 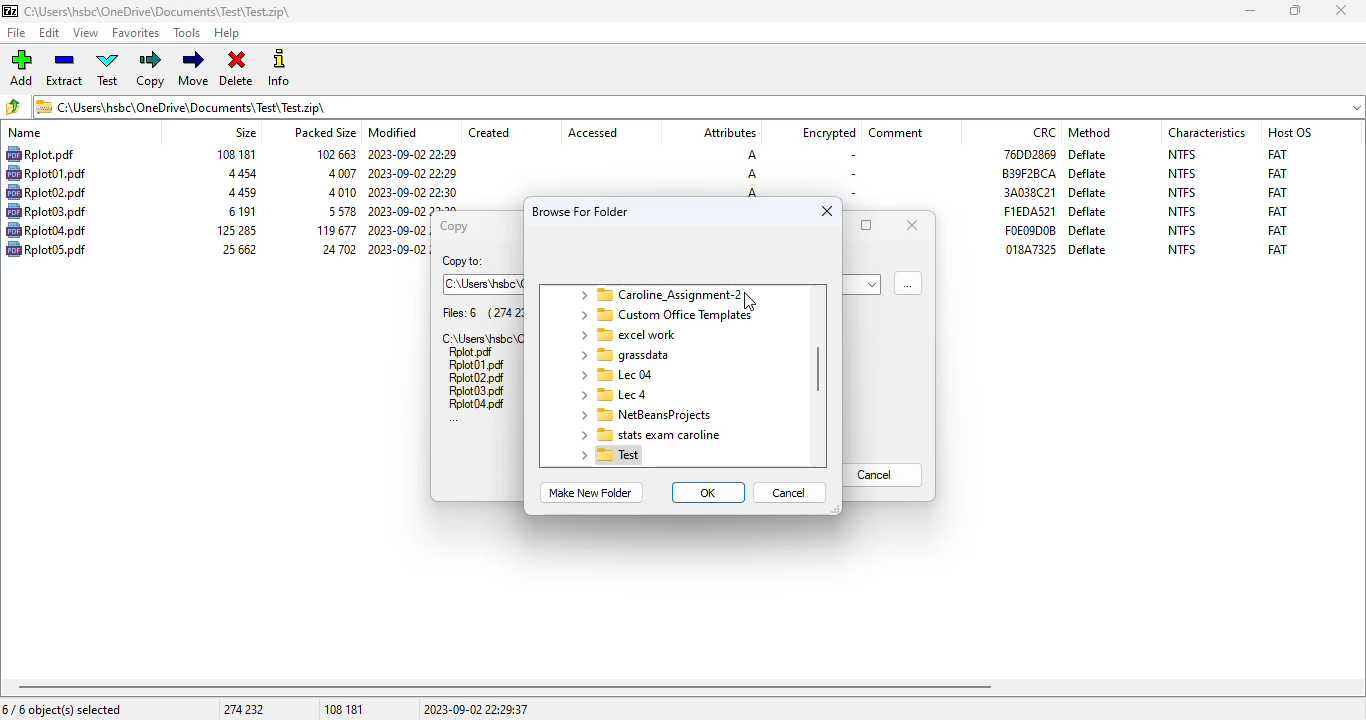 What do you see at coordinates (1277, 230) in the screenshot?
I see `FAT` at bounding box center [1277, 230].